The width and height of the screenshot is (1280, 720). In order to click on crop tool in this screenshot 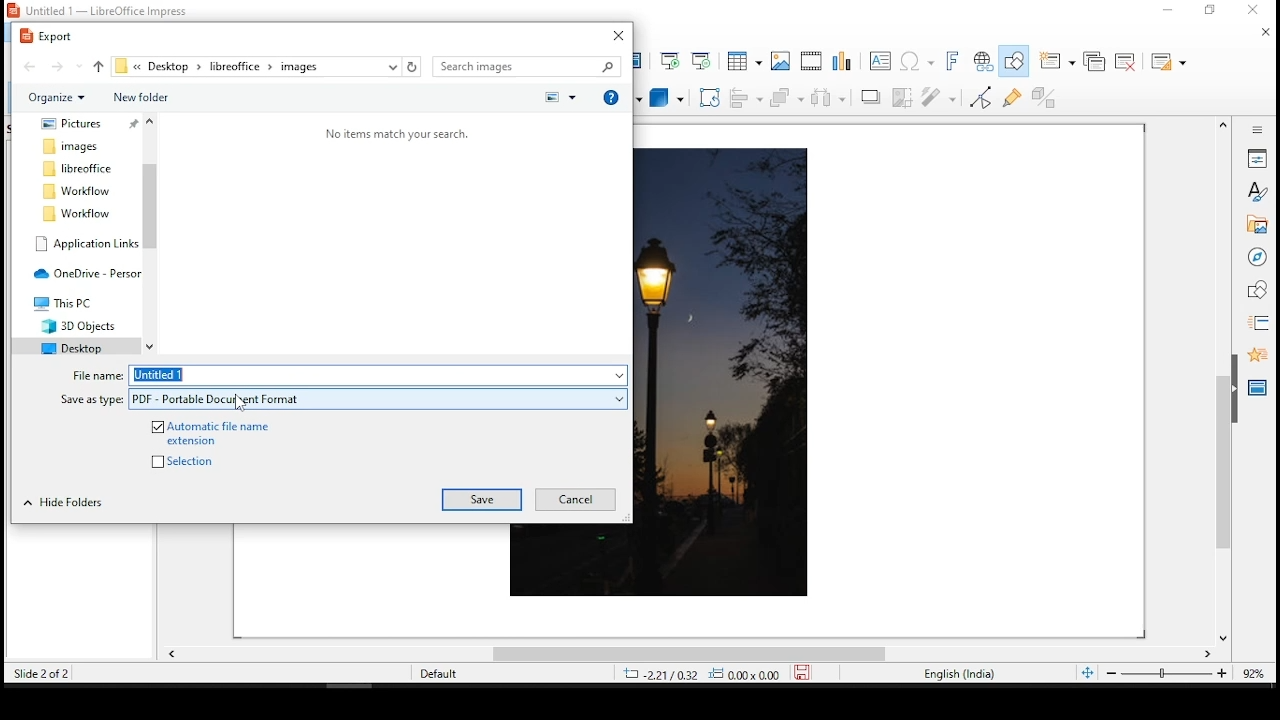, I will do `click(709, 97)`.